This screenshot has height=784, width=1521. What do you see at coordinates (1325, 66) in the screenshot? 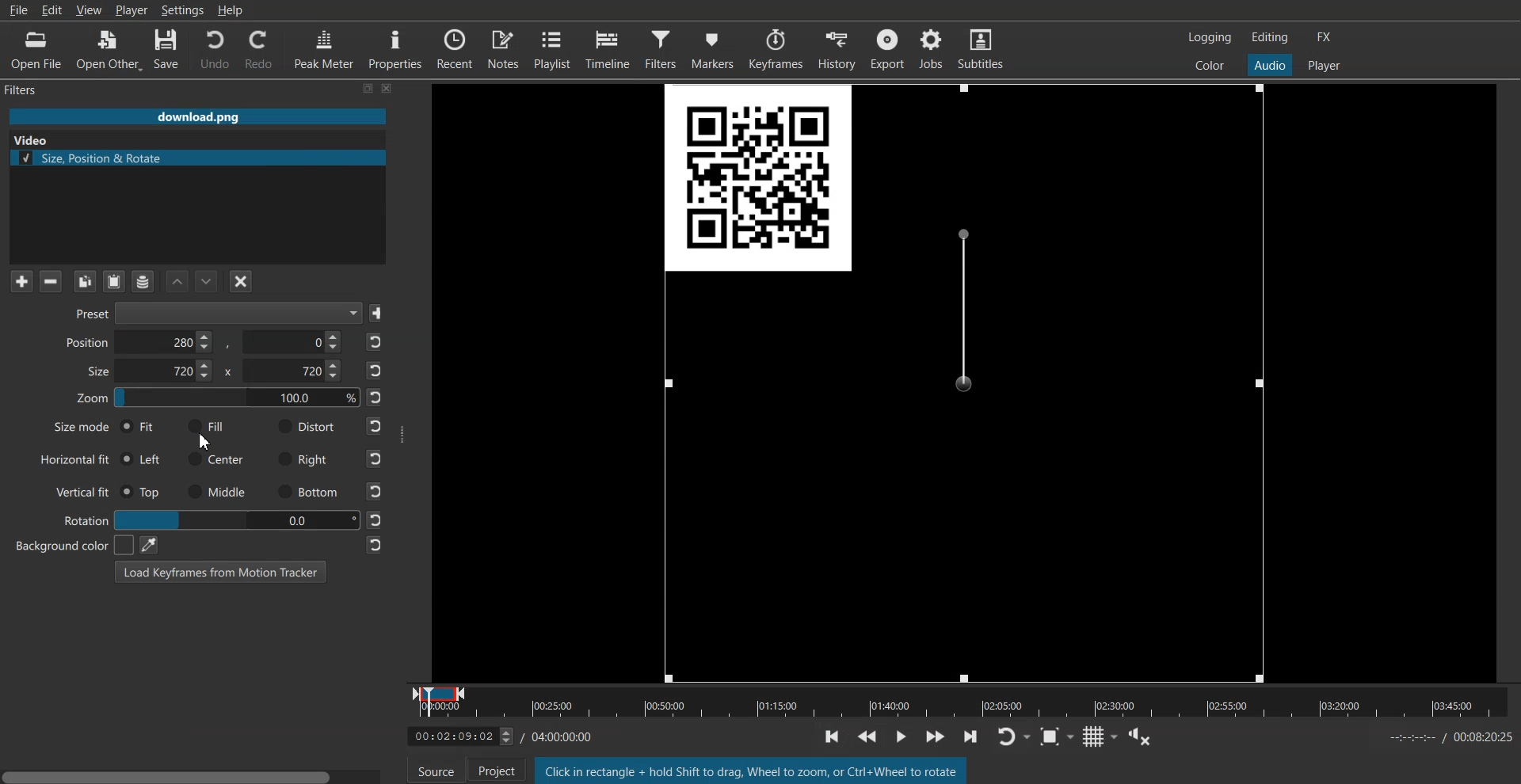
I see `Switch to the Player one layout` at bounding box center [1325, 66].